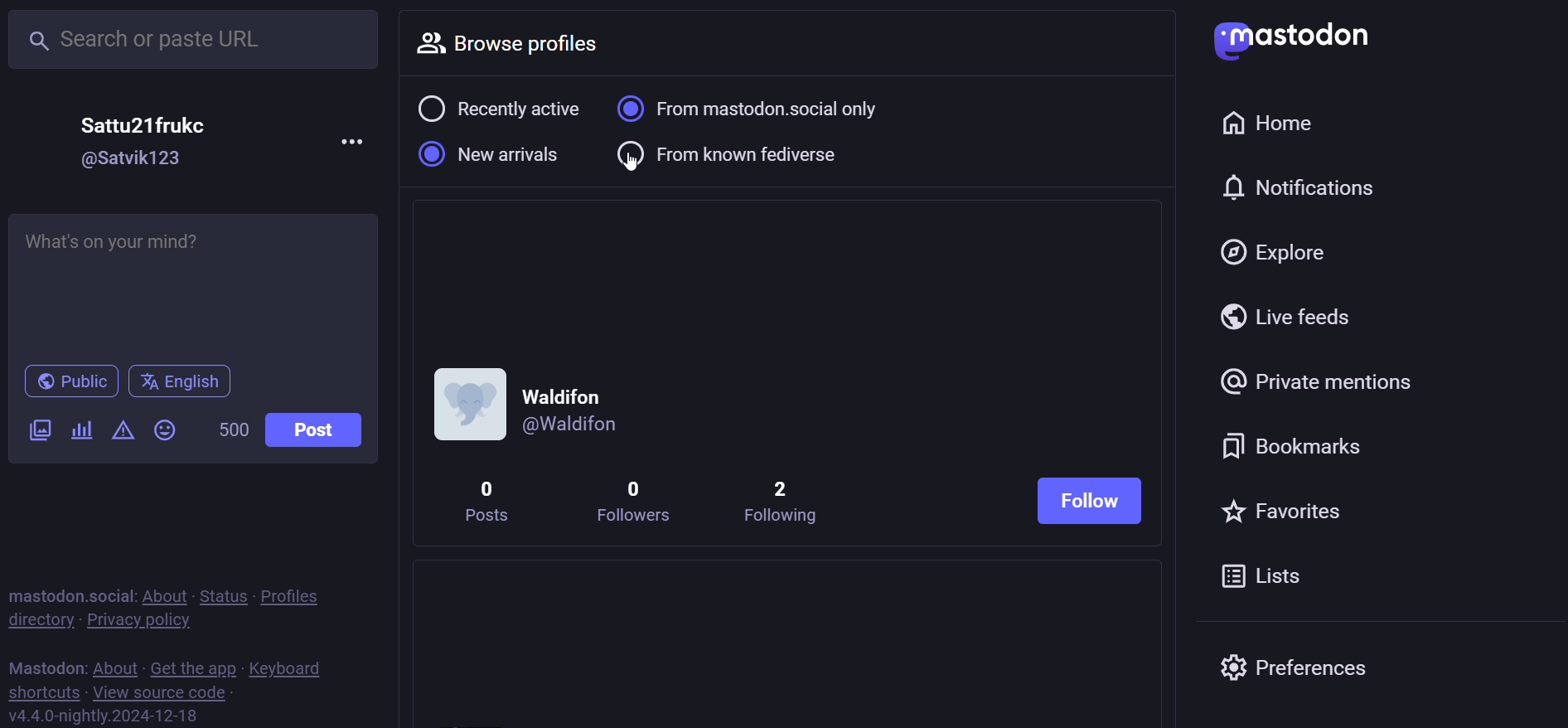 The image size is (1568, 728). What do you see at coordinates (1267, 122) in the screenshot?
I see `home` at bounding box center [1267, 122].